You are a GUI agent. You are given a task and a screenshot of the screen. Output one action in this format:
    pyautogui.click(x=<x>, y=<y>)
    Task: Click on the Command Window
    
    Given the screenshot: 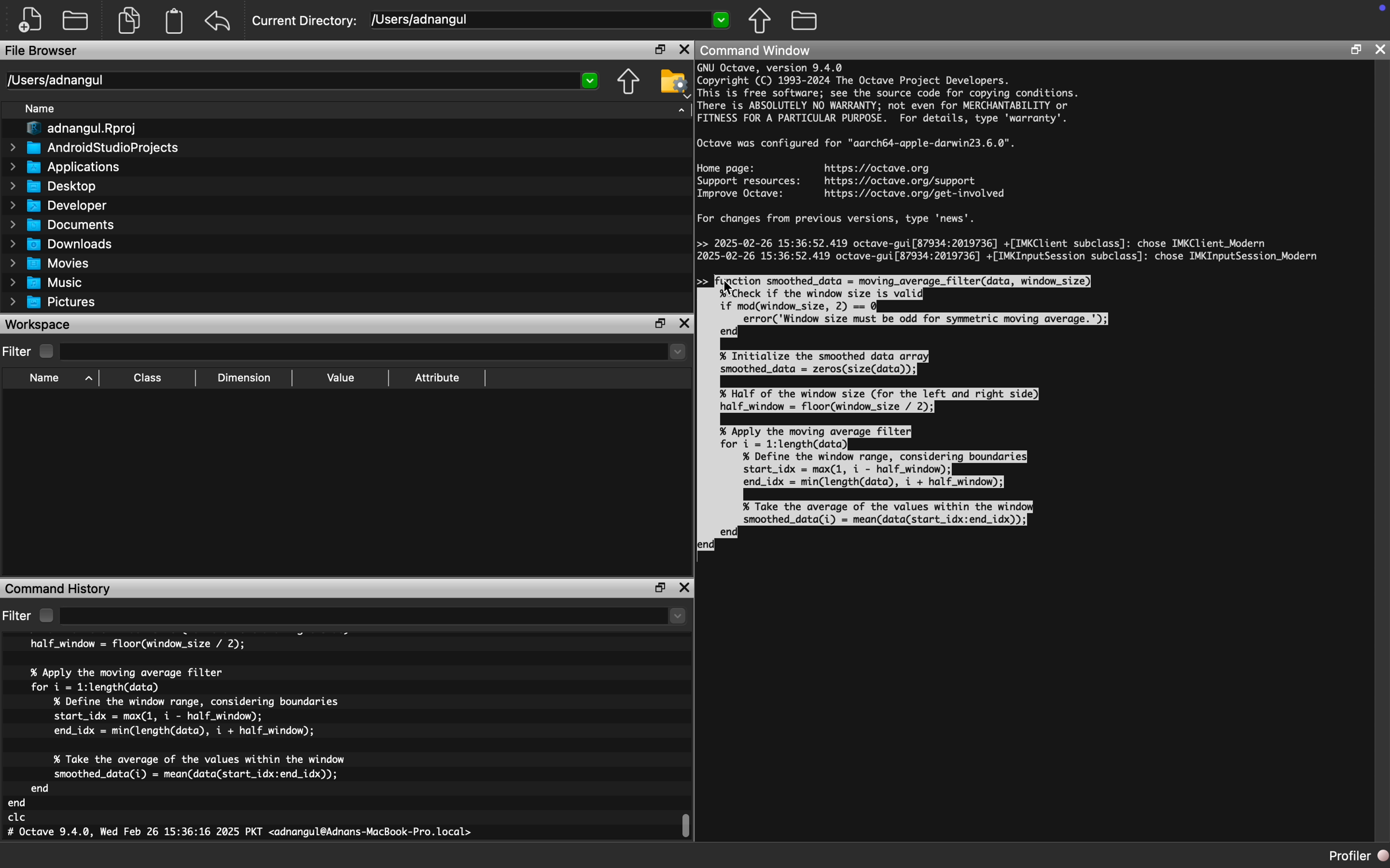 What is the action you would take?
    pyautogui.click(x=758, y=51)
    